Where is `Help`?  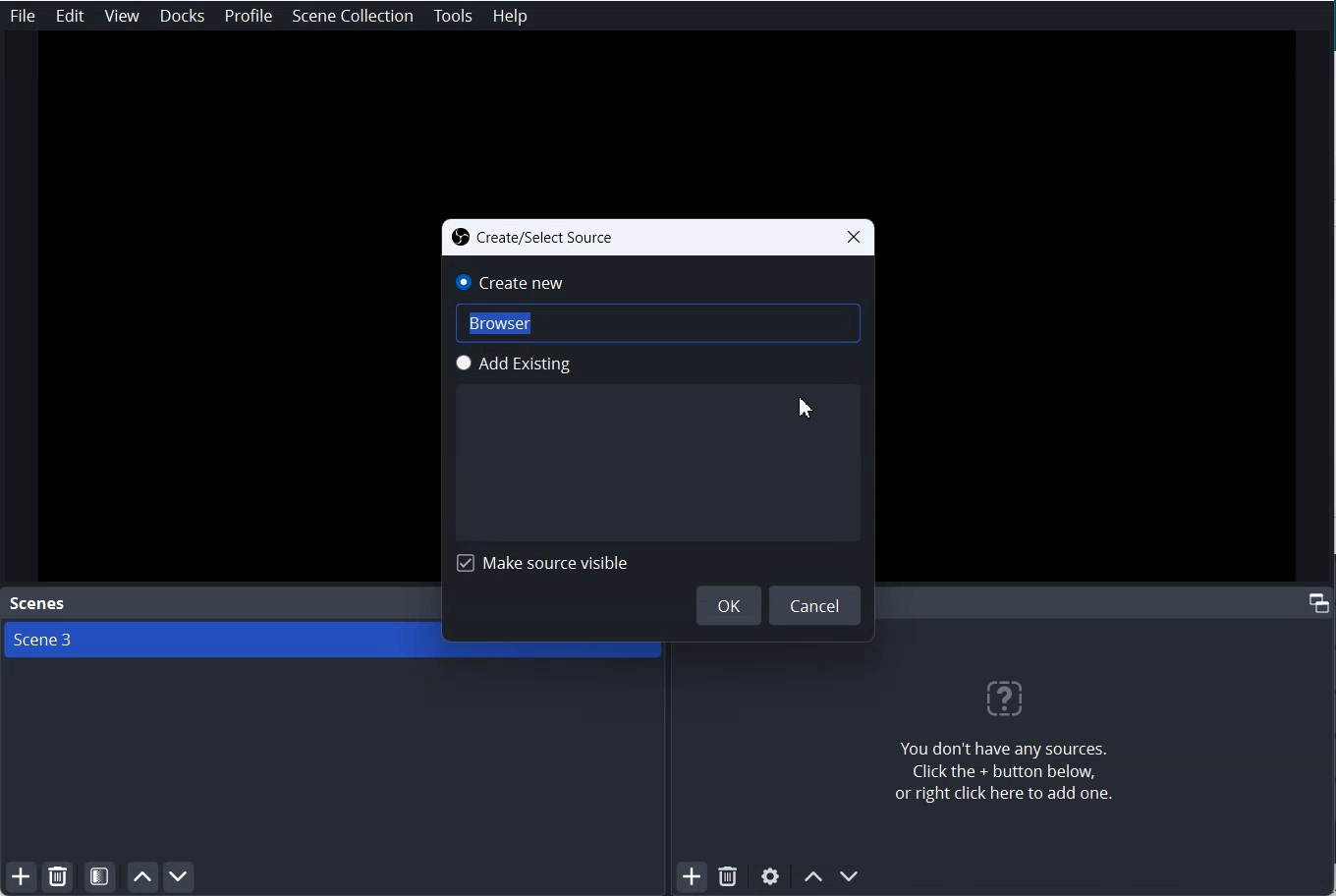 Help is located at coordinates (510, 17).